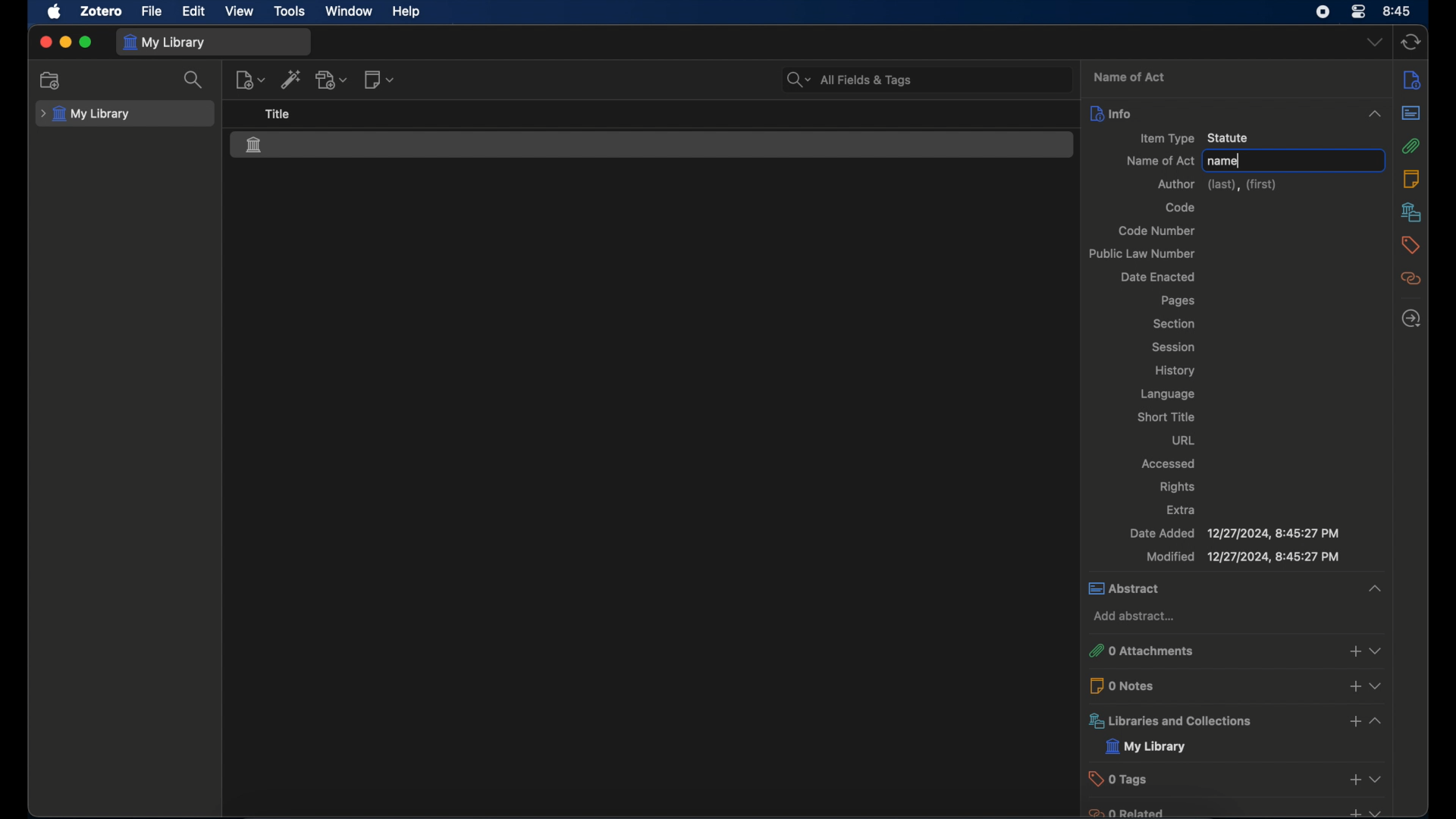 The image size is (1456, 819). Describe the element at coordinates (1377, 723) in the screenshot. I see `dropdown` at that location.